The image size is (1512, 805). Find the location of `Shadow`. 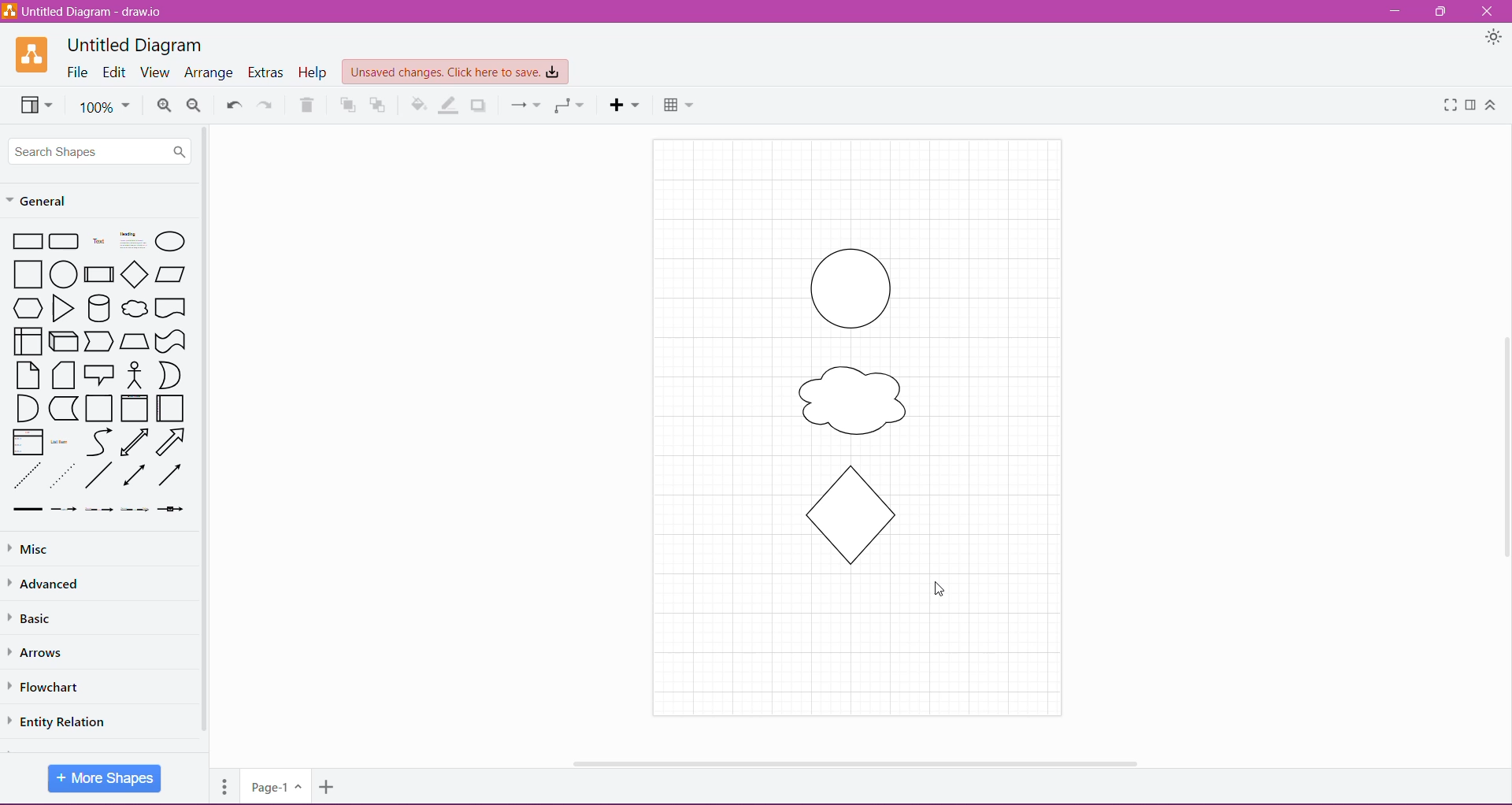

Shadow is located at coordinates (480, 105).